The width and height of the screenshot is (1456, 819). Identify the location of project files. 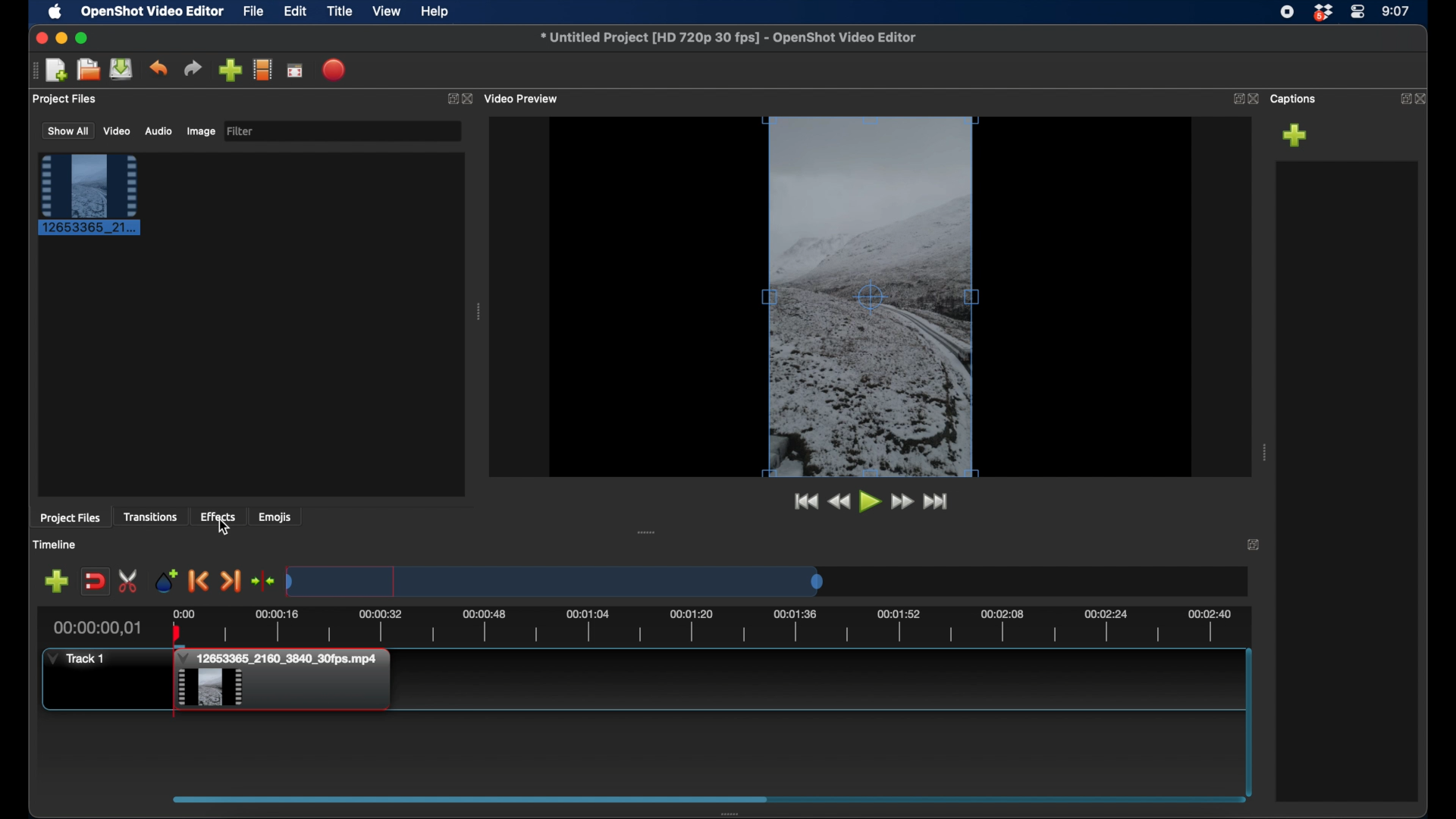
(66, 99).